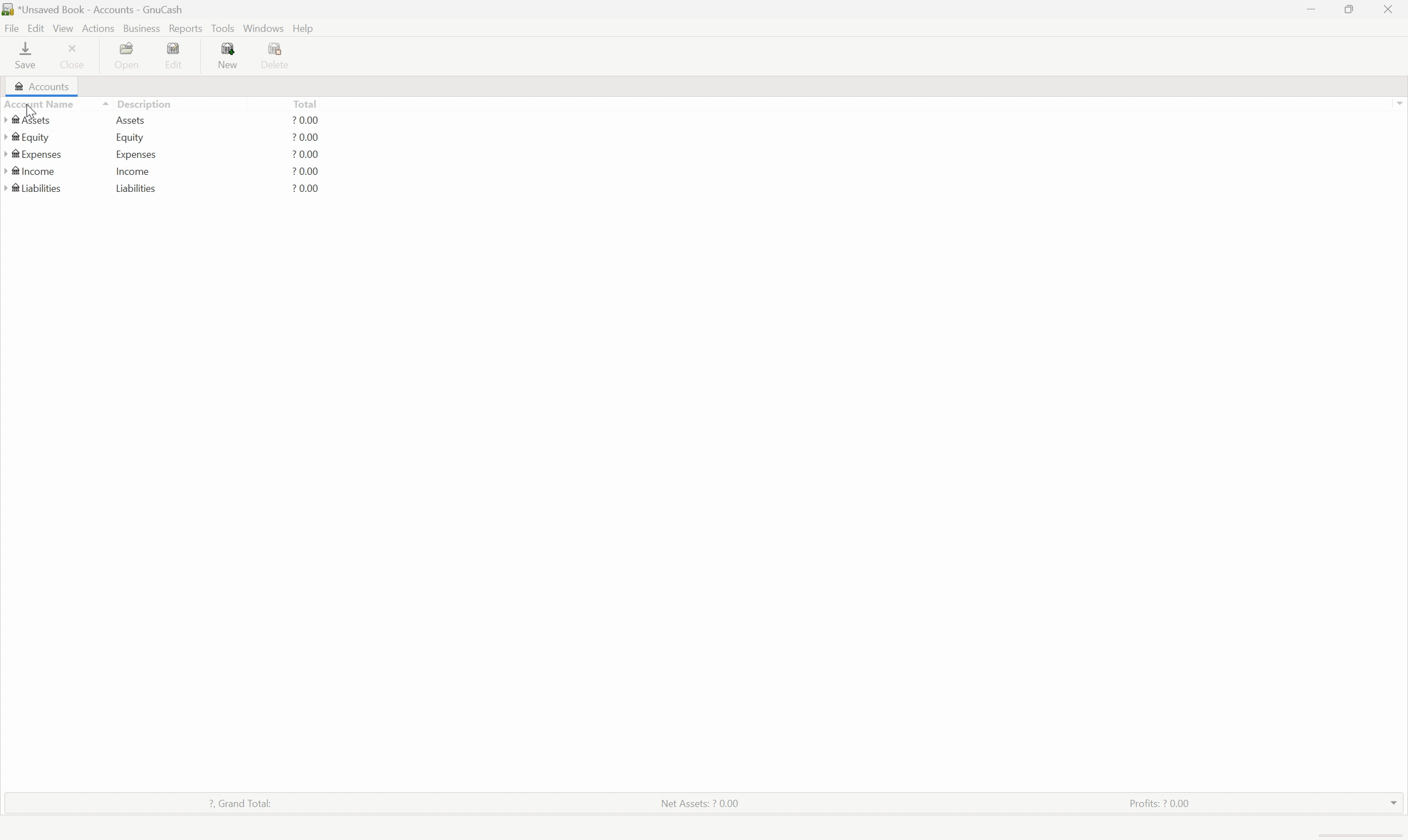 This screenshot has width=1408, height=840. I want to click on Assets, so click(130, 120).